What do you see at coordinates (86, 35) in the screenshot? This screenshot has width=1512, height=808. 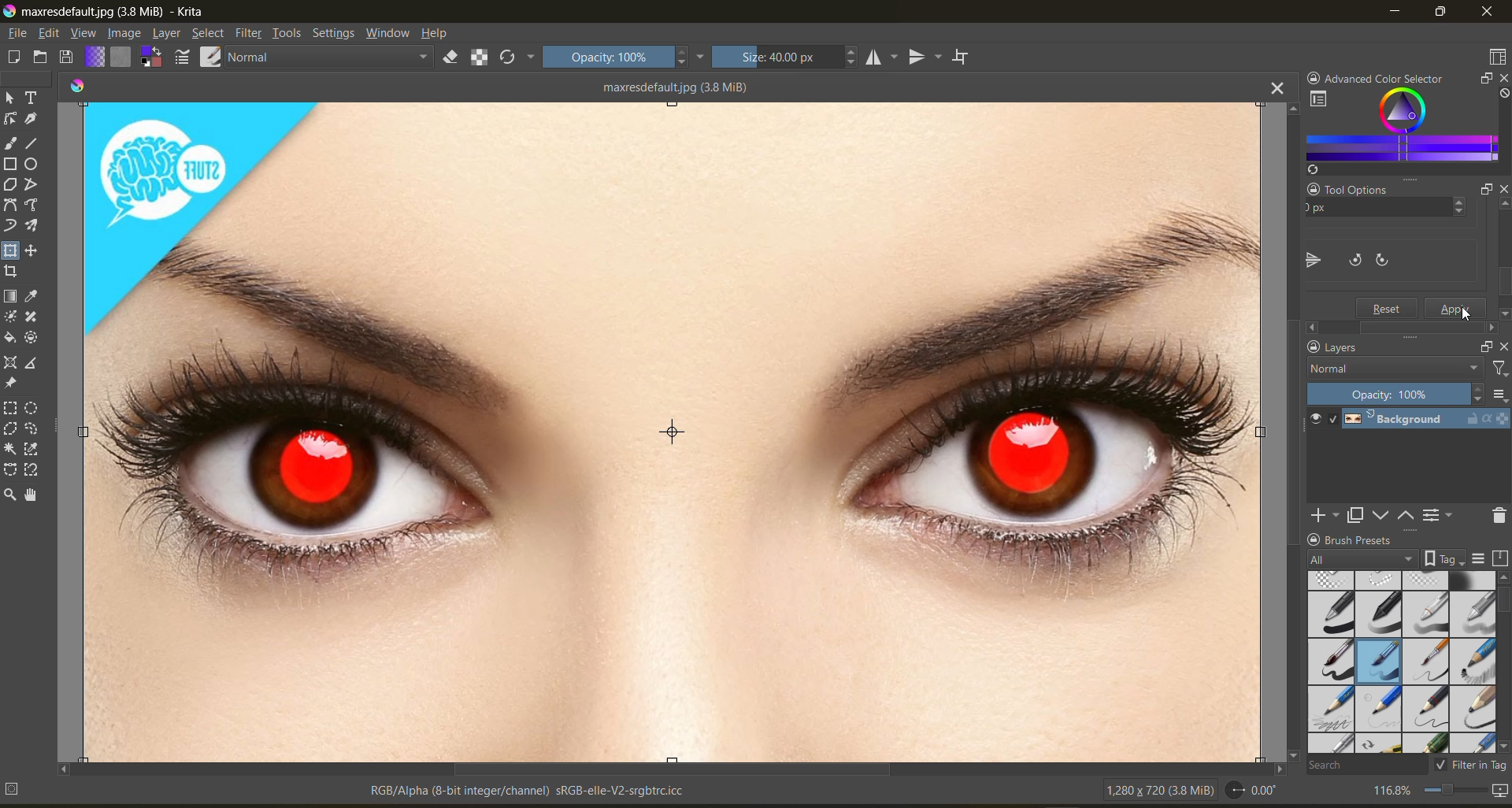 I see `view` at bounding box center [86, 35].